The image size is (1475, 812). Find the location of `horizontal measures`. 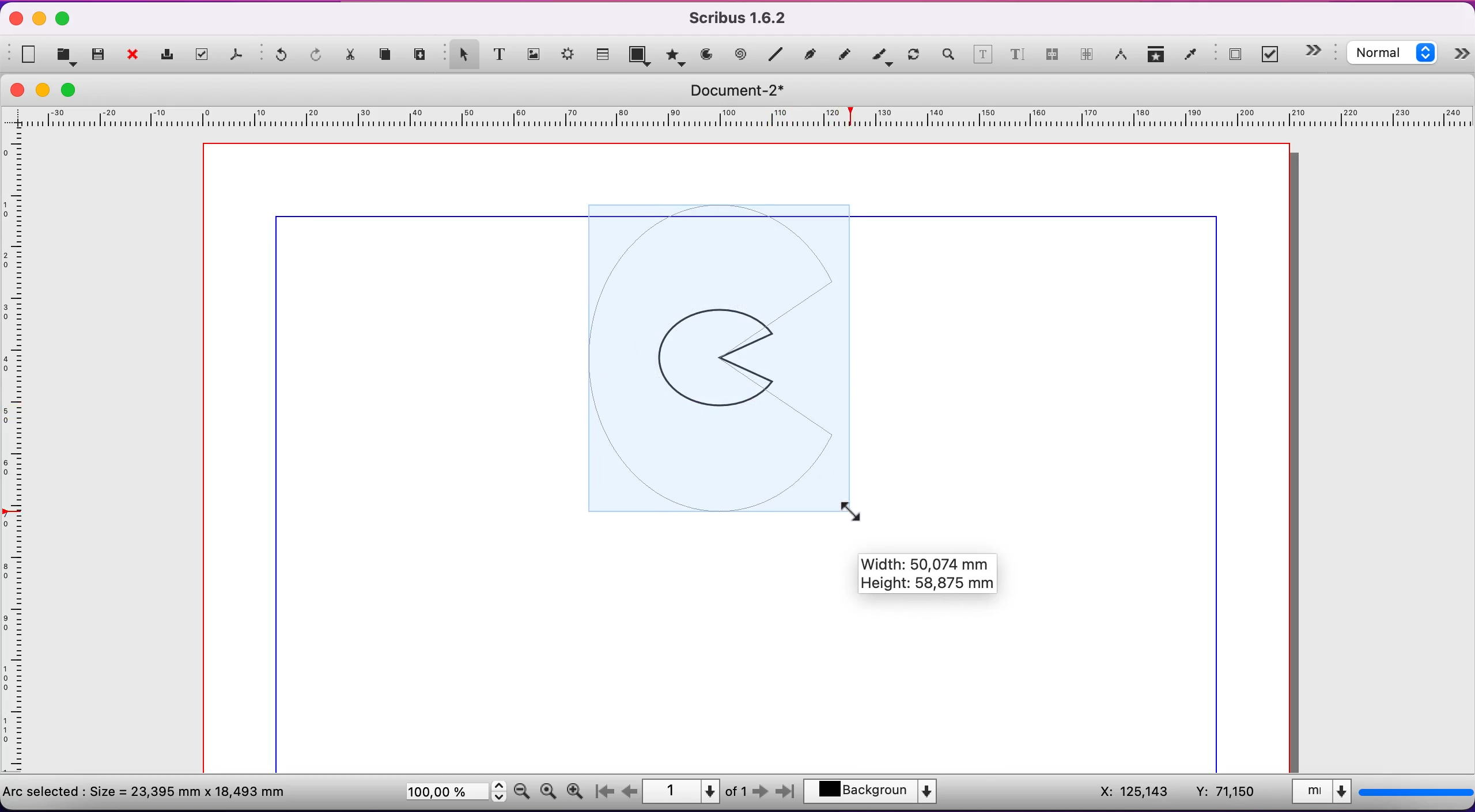

horizontal measures is located at coordinates (740, 121).